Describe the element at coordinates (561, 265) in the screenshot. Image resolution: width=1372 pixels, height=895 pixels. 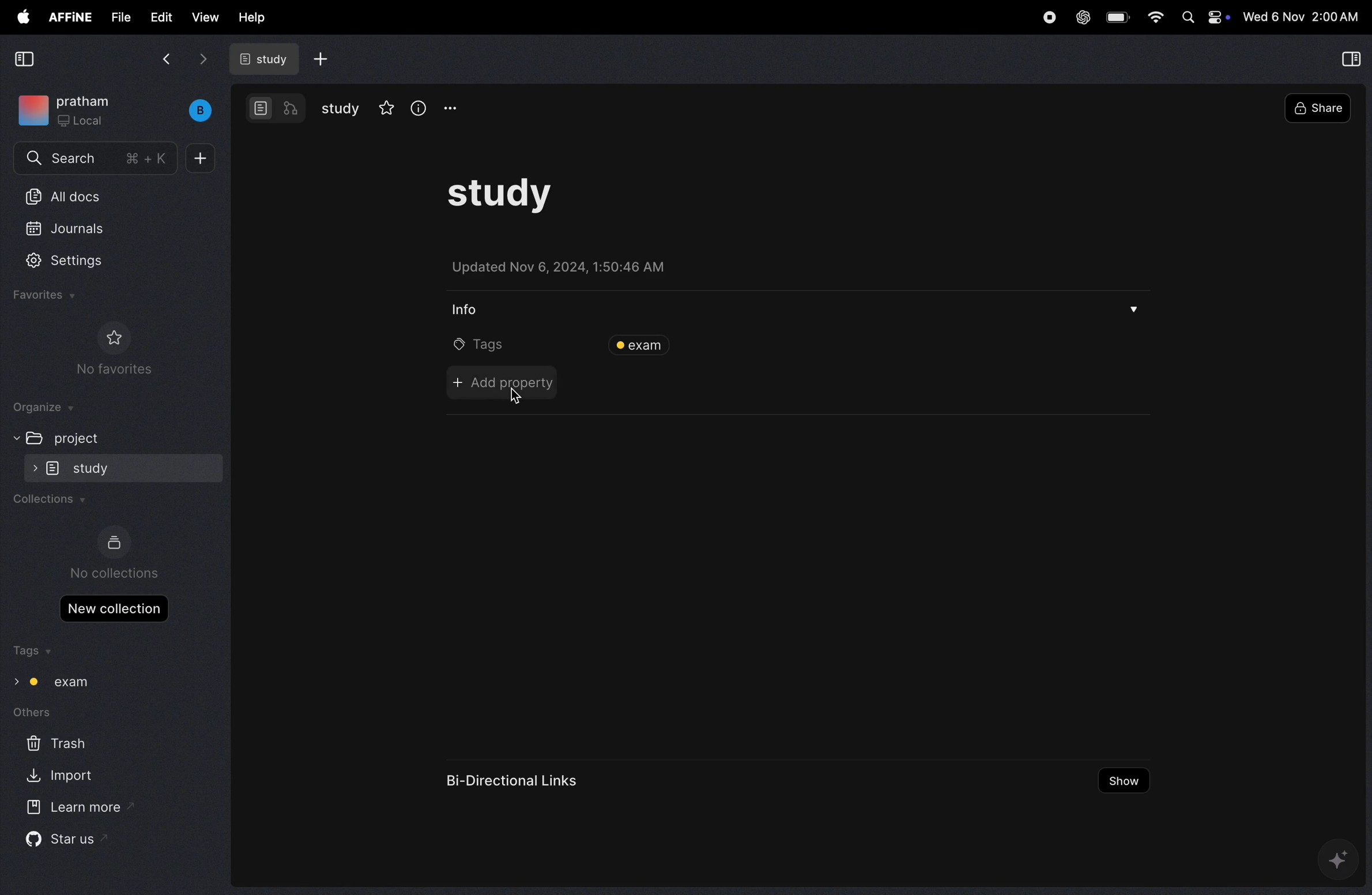
I see `updated` at that location.